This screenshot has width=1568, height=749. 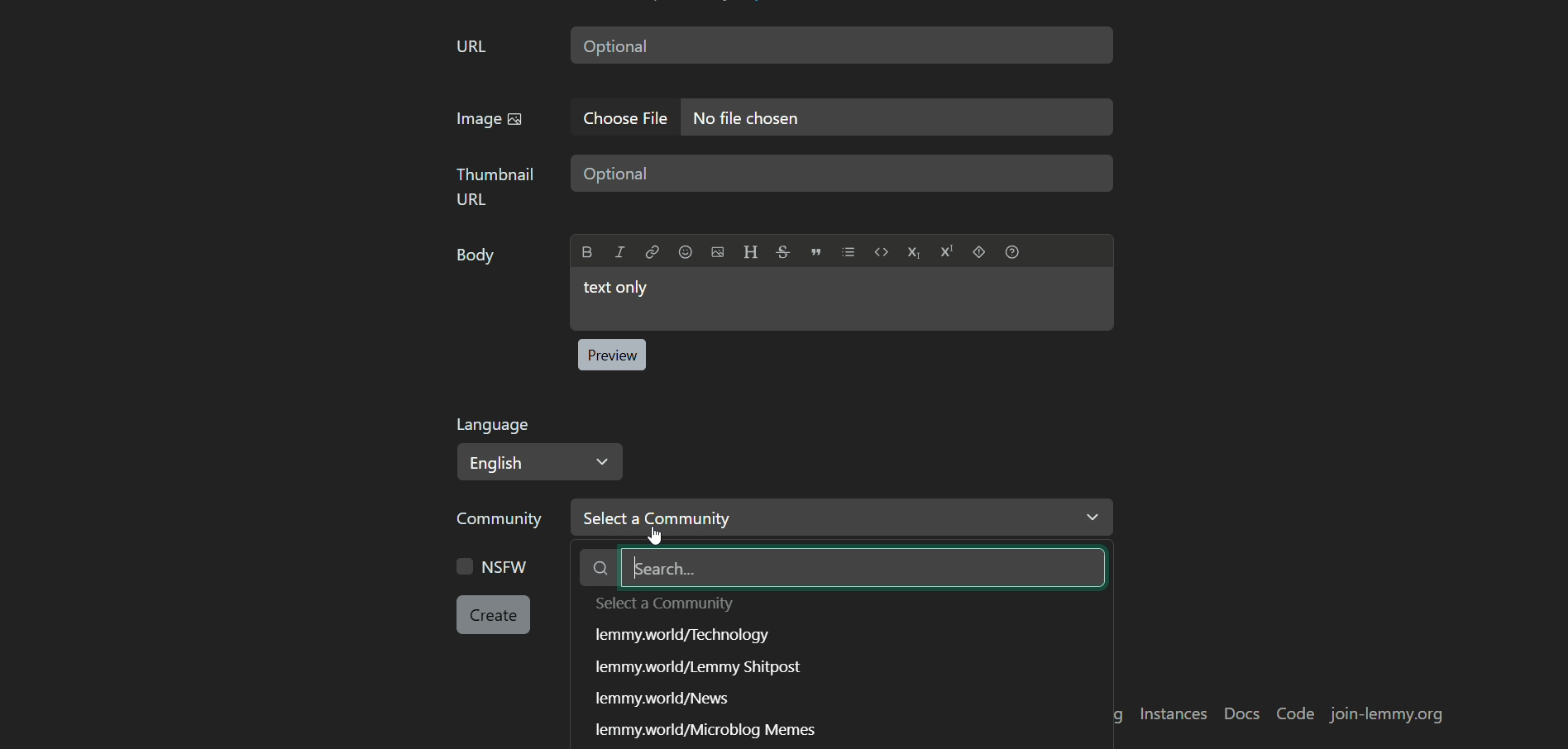 I want to click on Strikethrough, so click(x=783, y=250).